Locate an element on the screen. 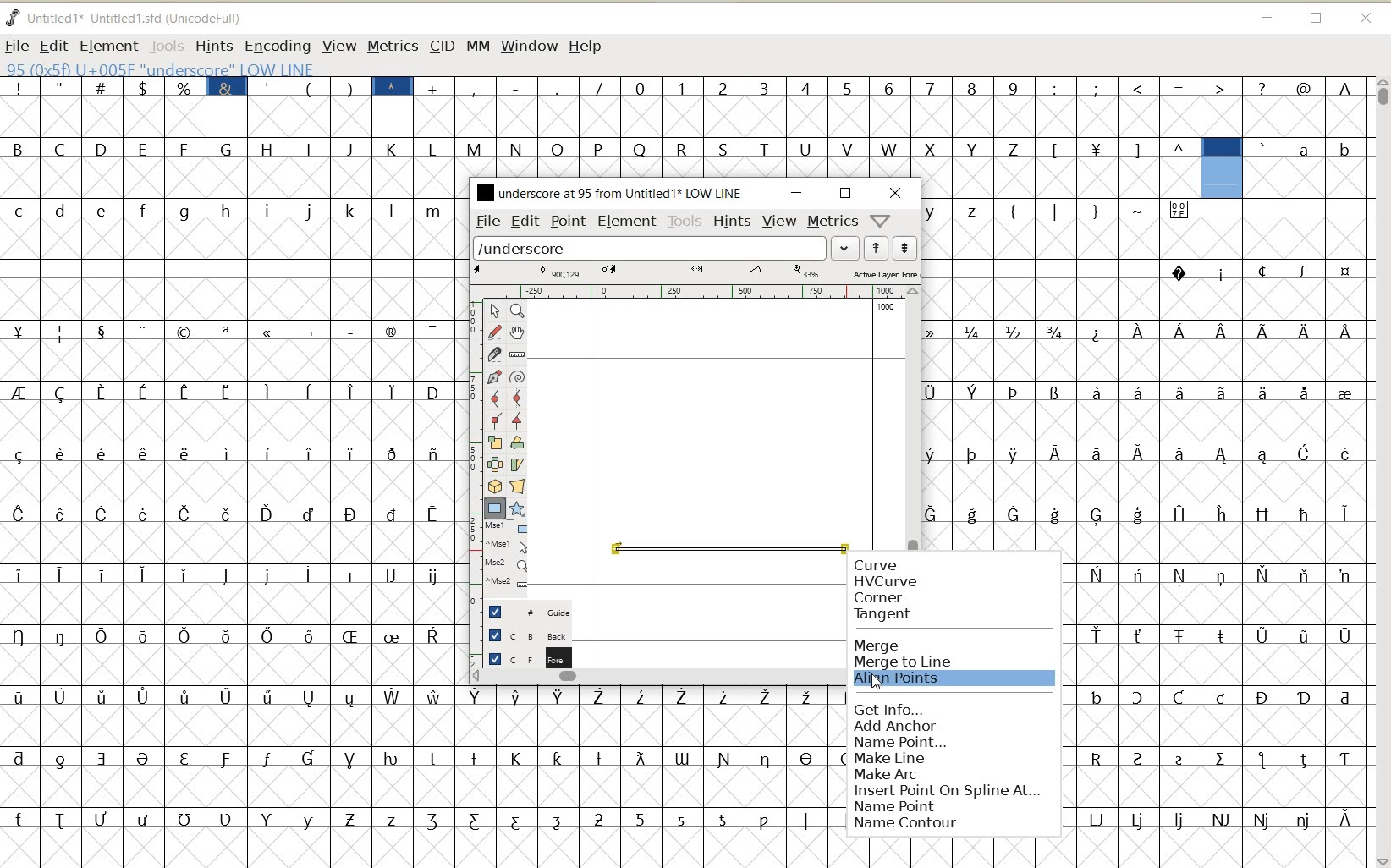 Image resolution: width=1391 pixels, height=868 pixels. HELP is located at coordinates (587, 47).